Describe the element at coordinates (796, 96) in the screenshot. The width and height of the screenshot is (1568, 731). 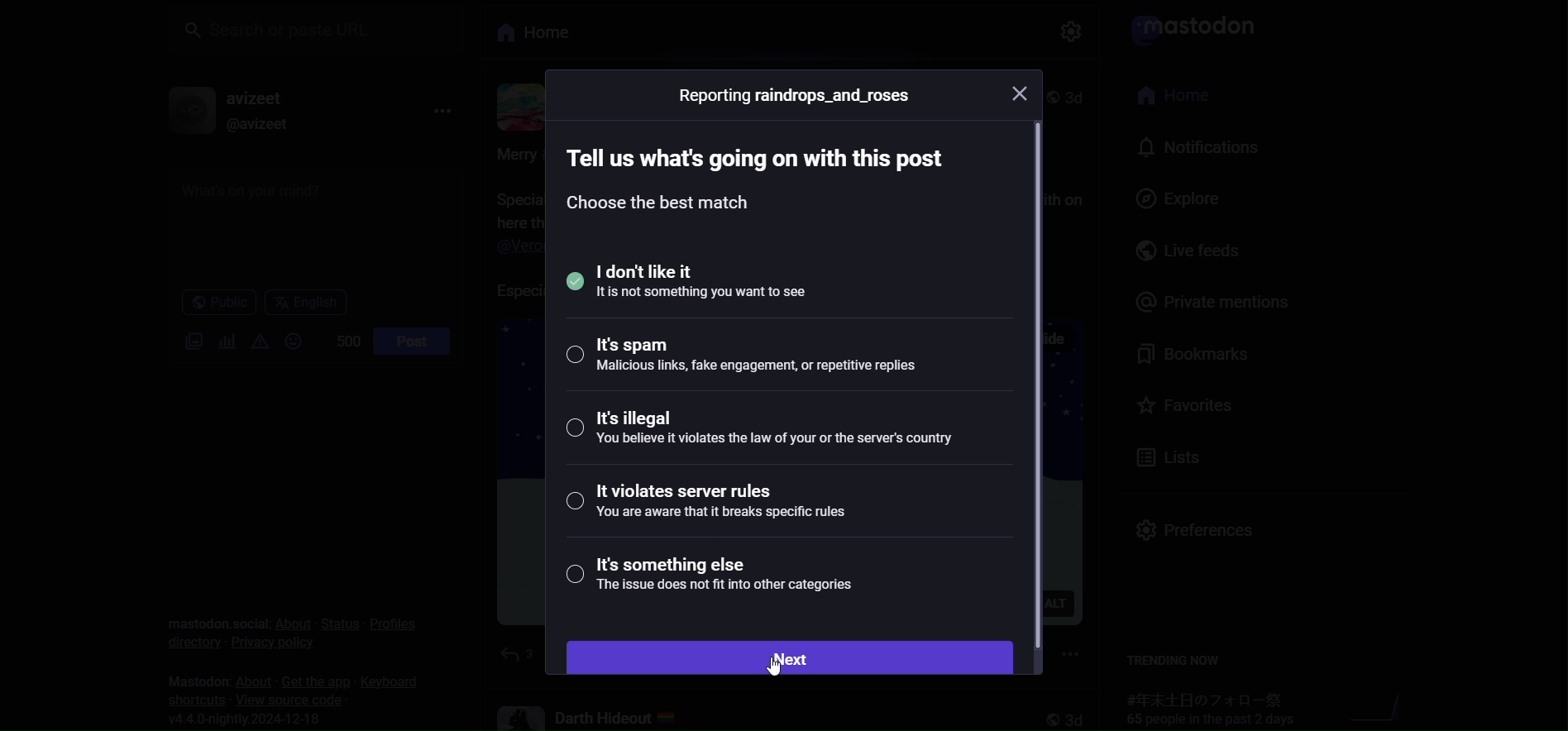
I see `reporting user` at that location.